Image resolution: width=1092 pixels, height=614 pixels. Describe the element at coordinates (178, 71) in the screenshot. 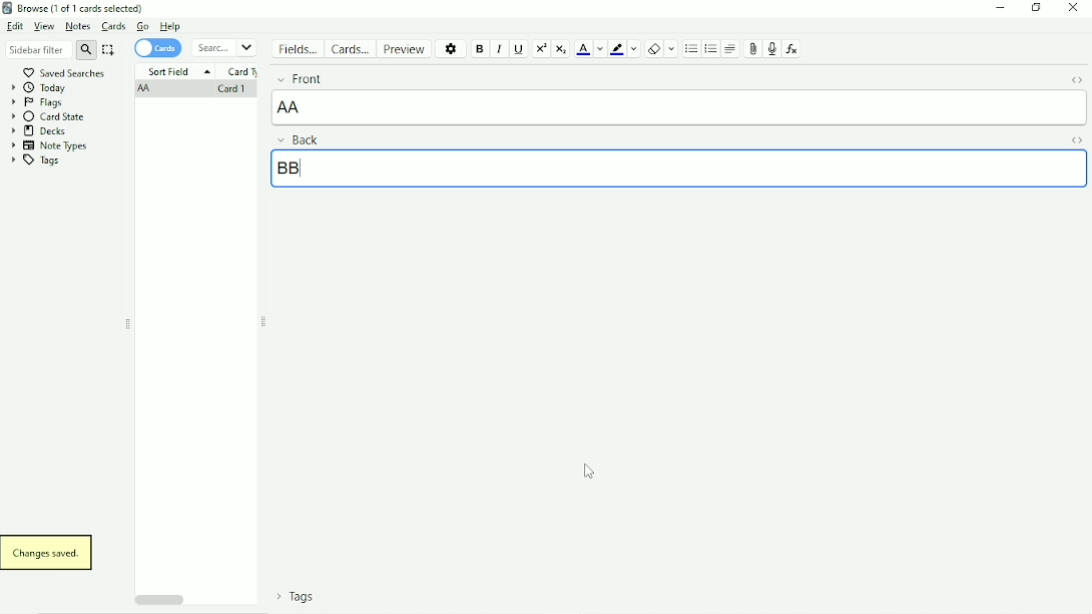

I see `Sort Field` at that location.